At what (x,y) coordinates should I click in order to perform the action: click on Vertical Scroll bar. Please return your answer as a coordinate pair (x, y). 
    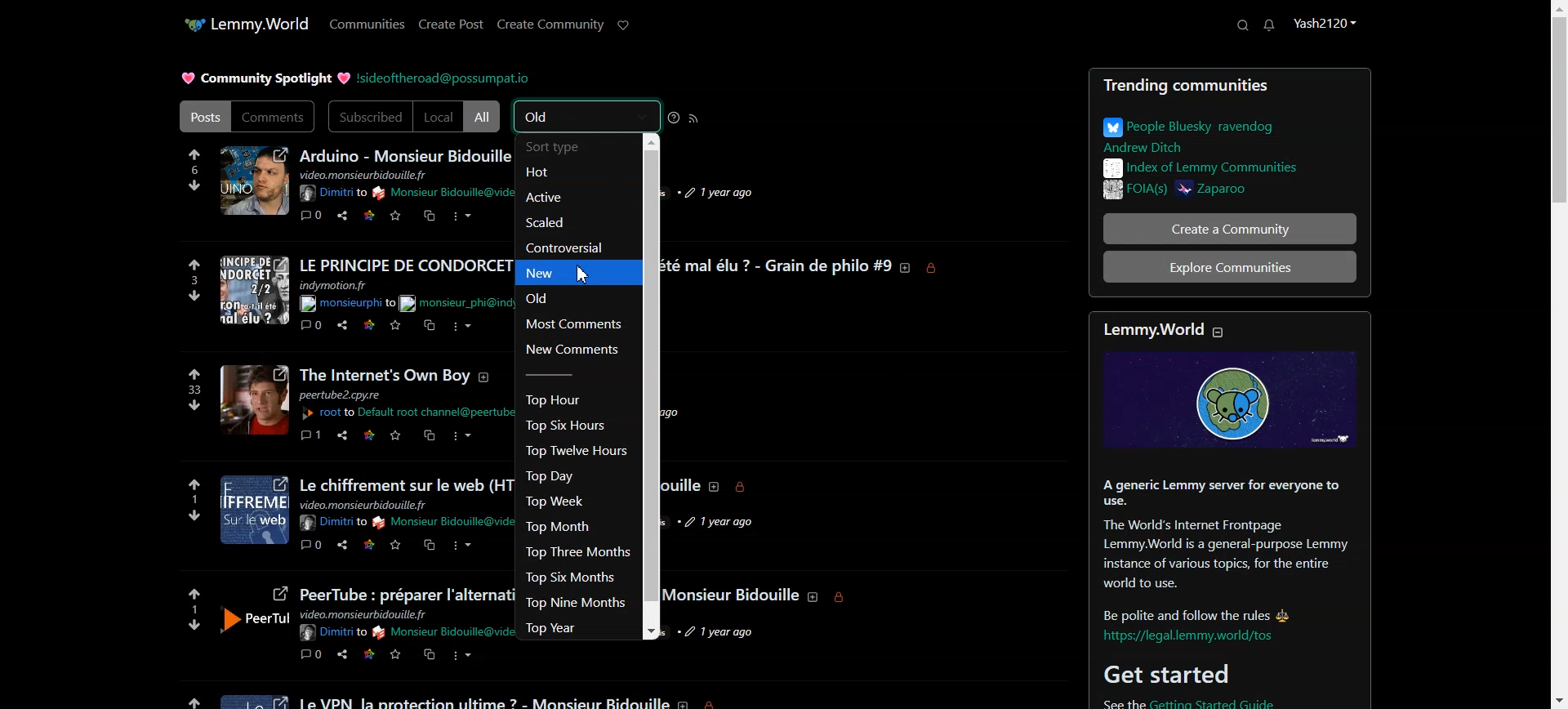
    Looking at the image, I should click on (648, 387).